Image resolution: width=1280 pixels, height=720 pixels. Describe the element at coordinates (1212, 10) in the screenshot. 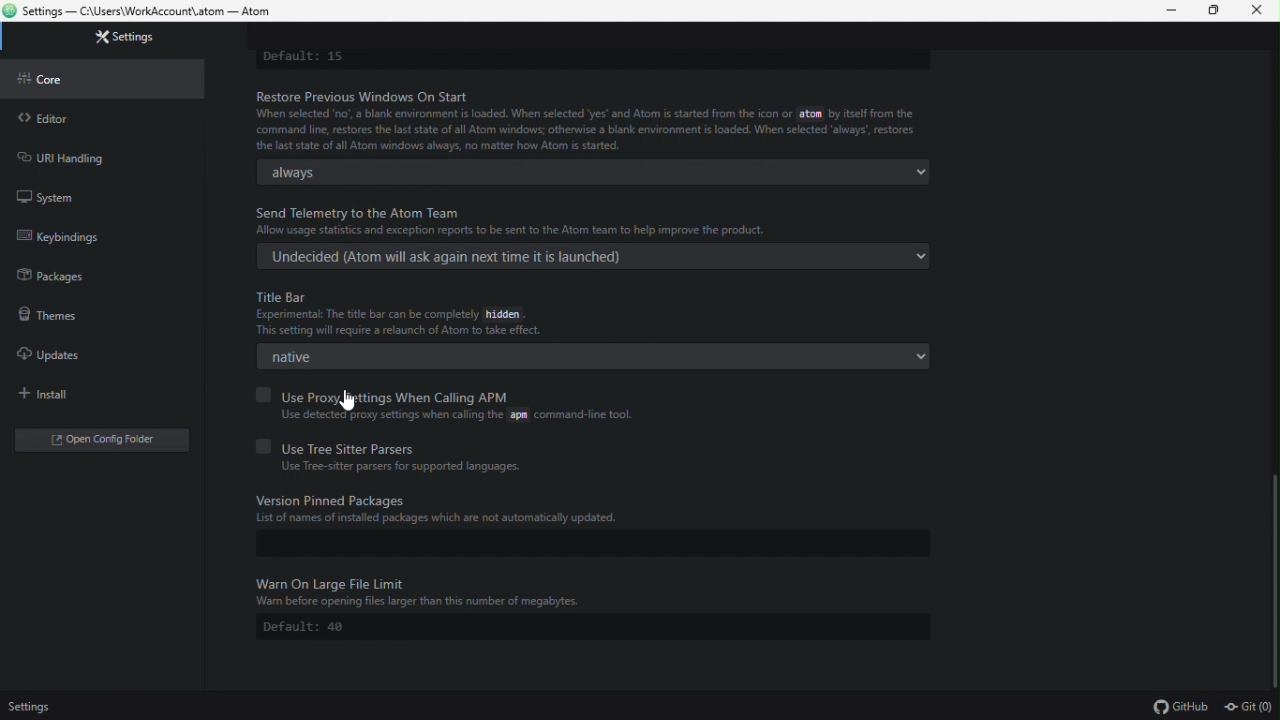

I see `restore` at that location.